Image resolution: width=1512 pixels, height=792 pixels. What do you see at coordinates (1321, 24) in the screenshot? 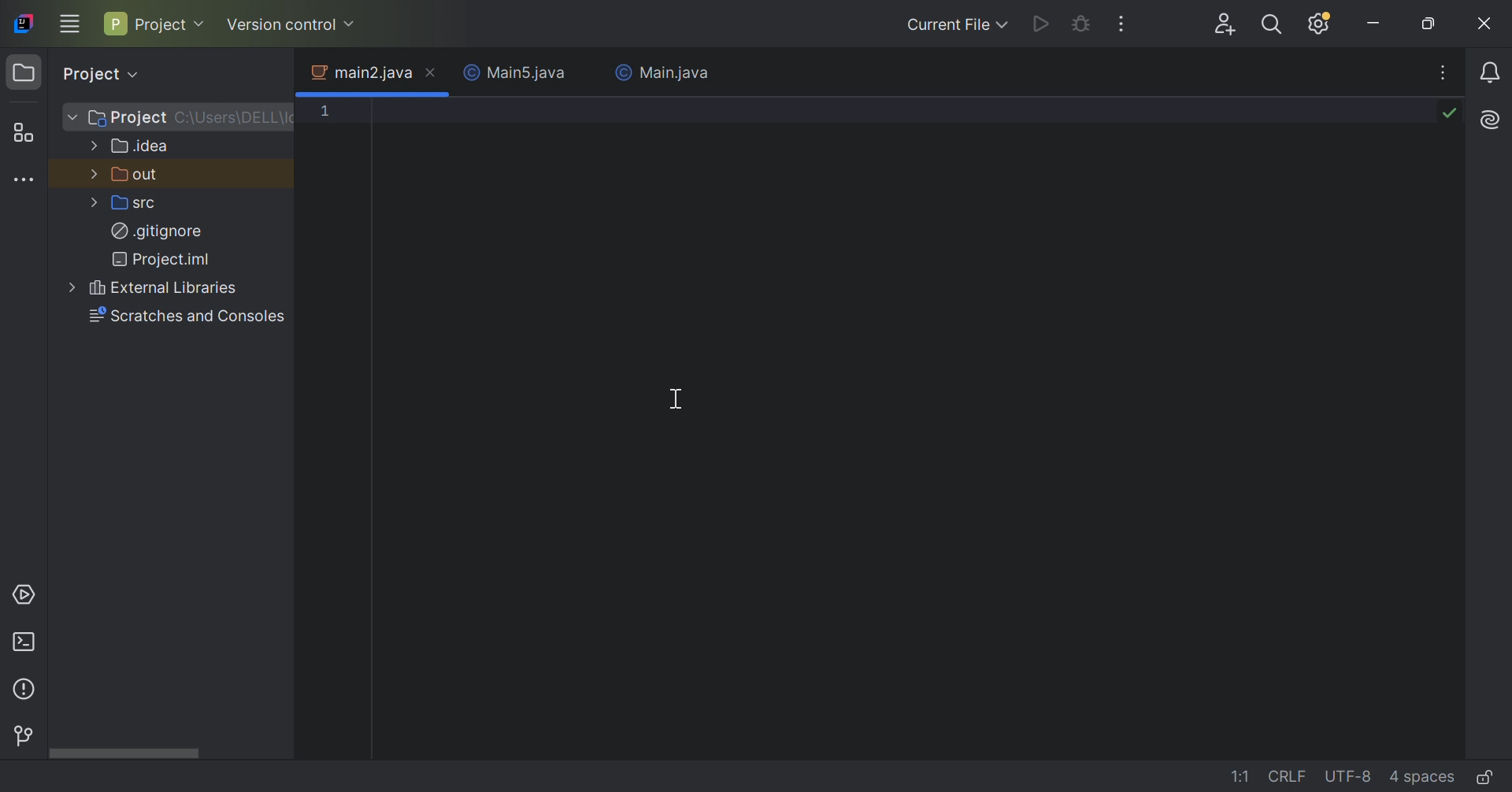
I see `Updates available. IDE and Project Settings.` at bounding box center [1321, 24].